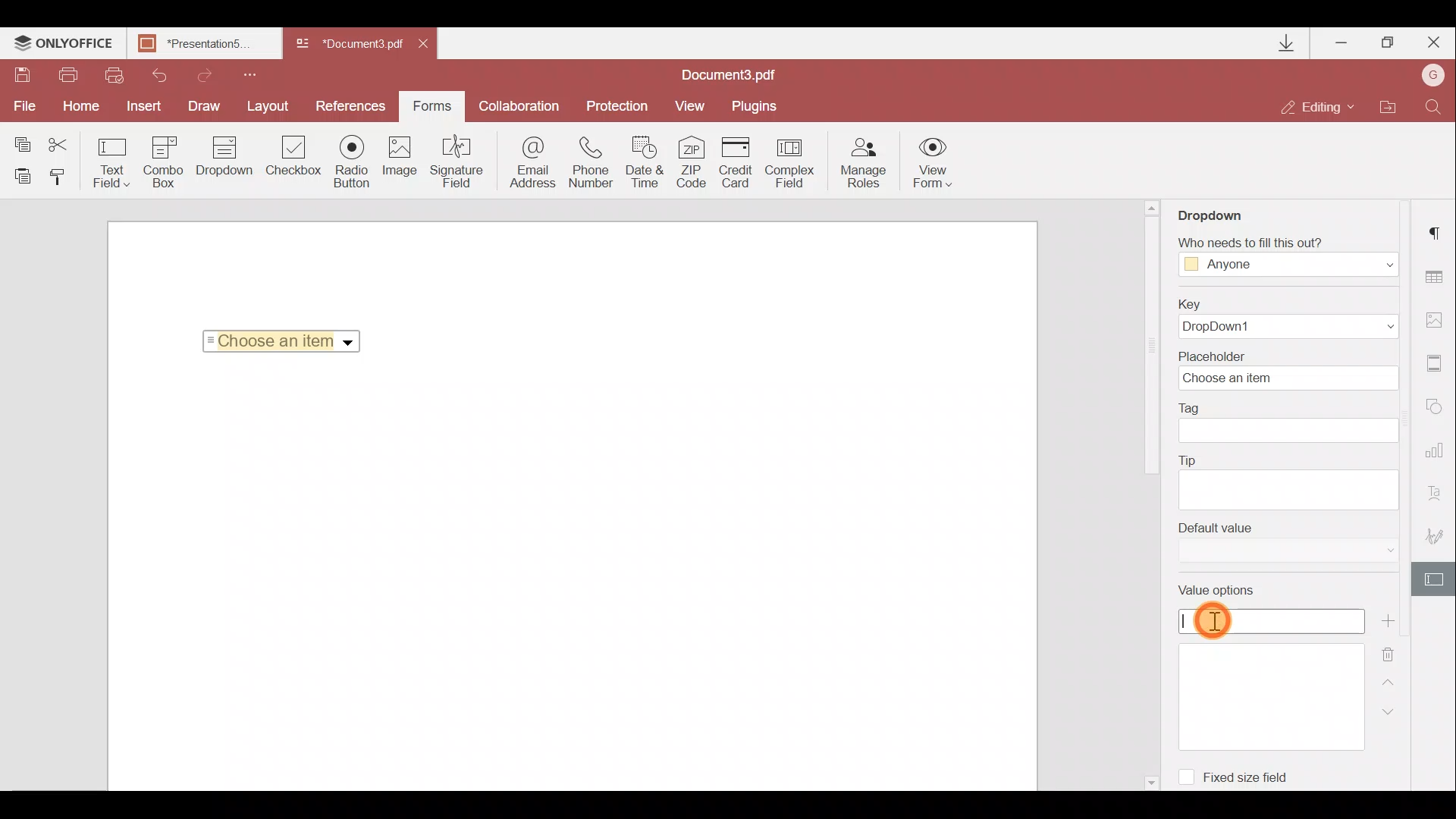  Describe the element at coordinates (1318, 106) in the screenshot. I see `Editing mode` at that location.